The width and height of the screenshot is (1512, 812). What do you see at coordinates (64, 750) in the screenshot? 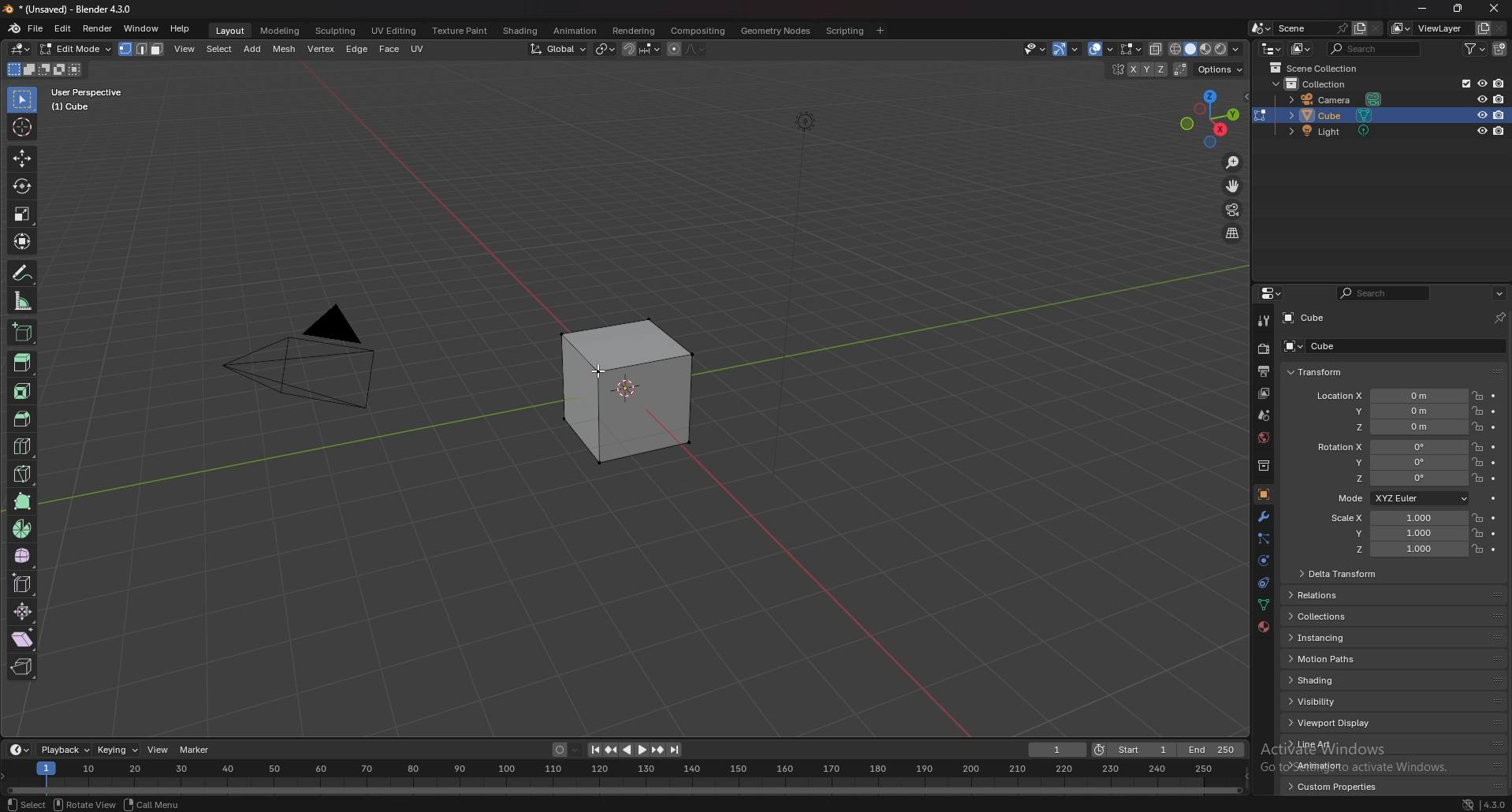
I see `playback` at bounding box center [64, 750].